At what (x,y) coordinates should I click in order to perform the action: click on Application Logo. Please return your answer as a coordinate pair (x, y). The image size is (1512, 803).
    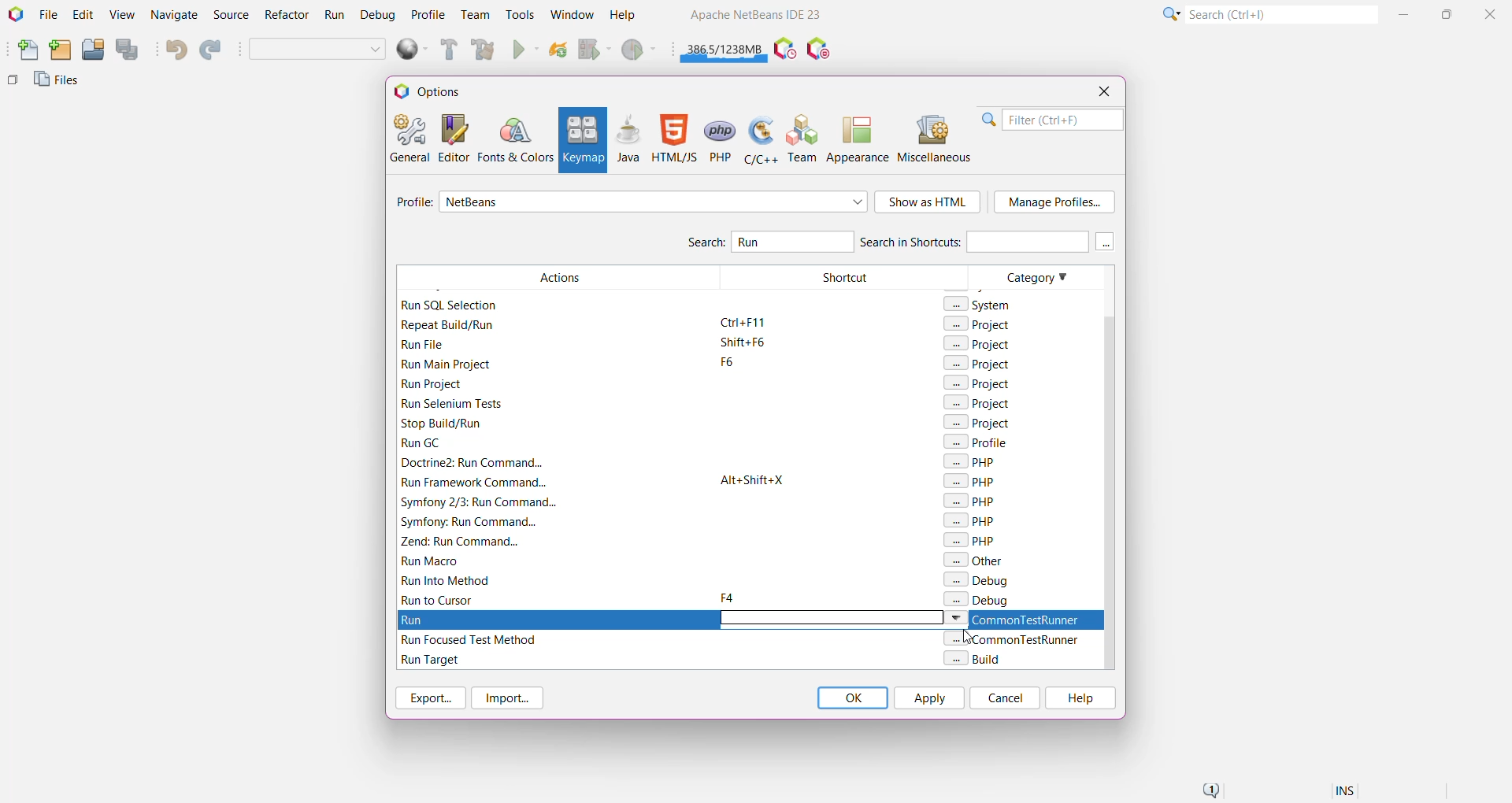
    Looking at the image, I should click on (14, 15).